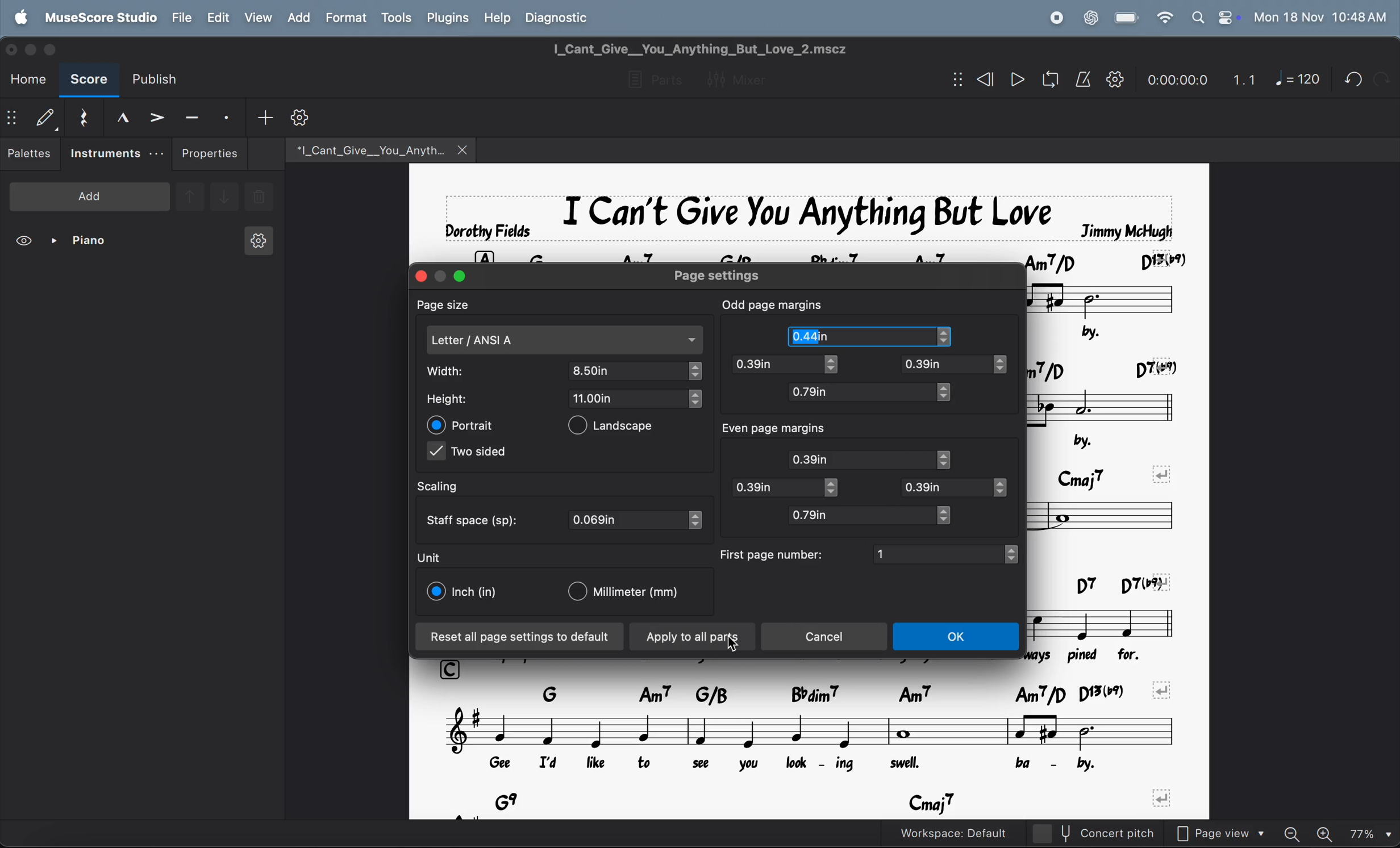 The width and height of the screenshot is (1400, 848). I want to click on close, so click(464, 149).